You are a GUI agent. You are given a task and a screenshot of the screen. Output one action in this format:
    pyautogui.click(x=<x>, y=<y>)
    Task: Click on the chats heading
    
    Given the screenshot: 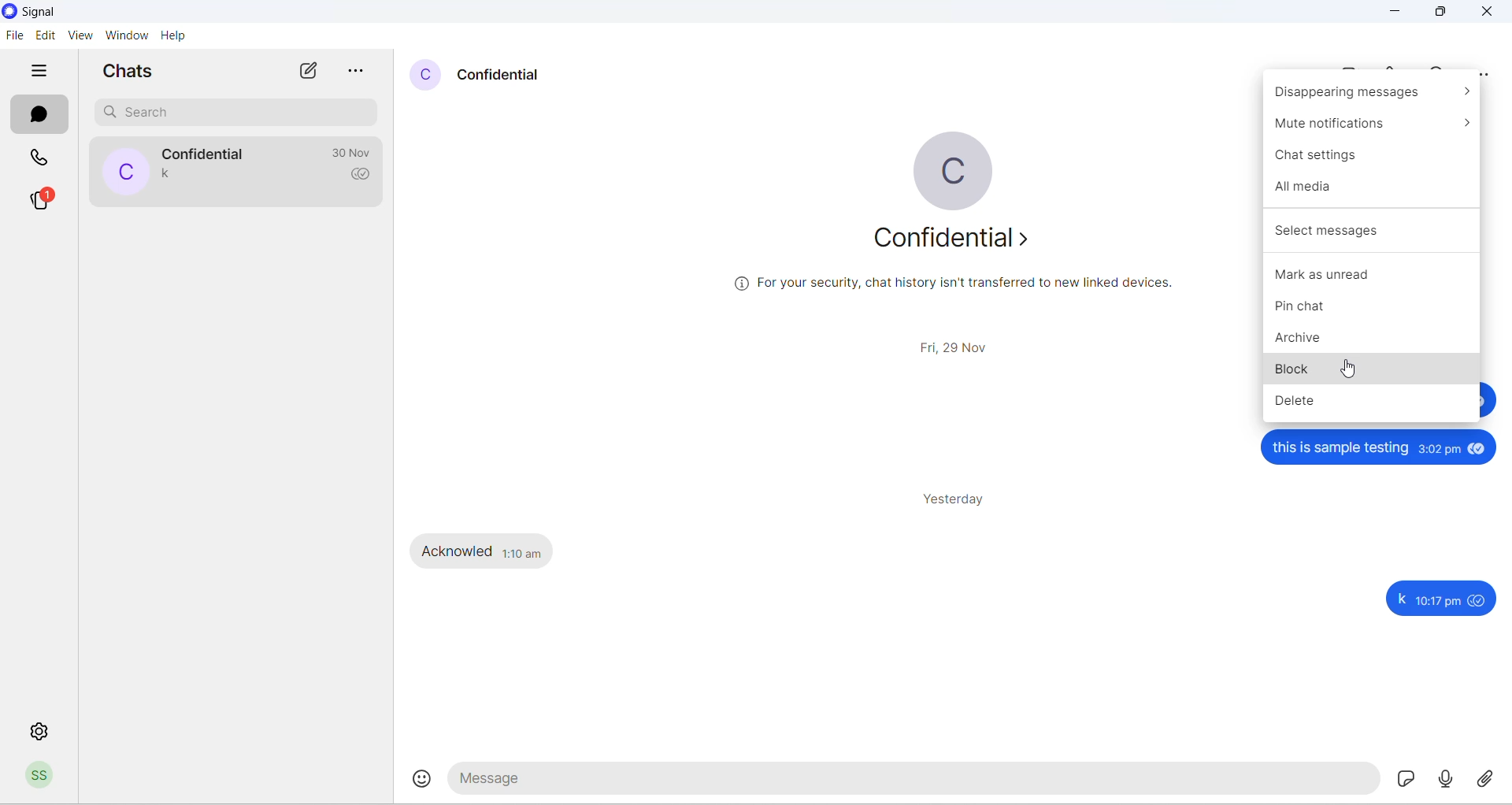 What is the action you would take?
    pyautogui.click(x=129, y=69)
    